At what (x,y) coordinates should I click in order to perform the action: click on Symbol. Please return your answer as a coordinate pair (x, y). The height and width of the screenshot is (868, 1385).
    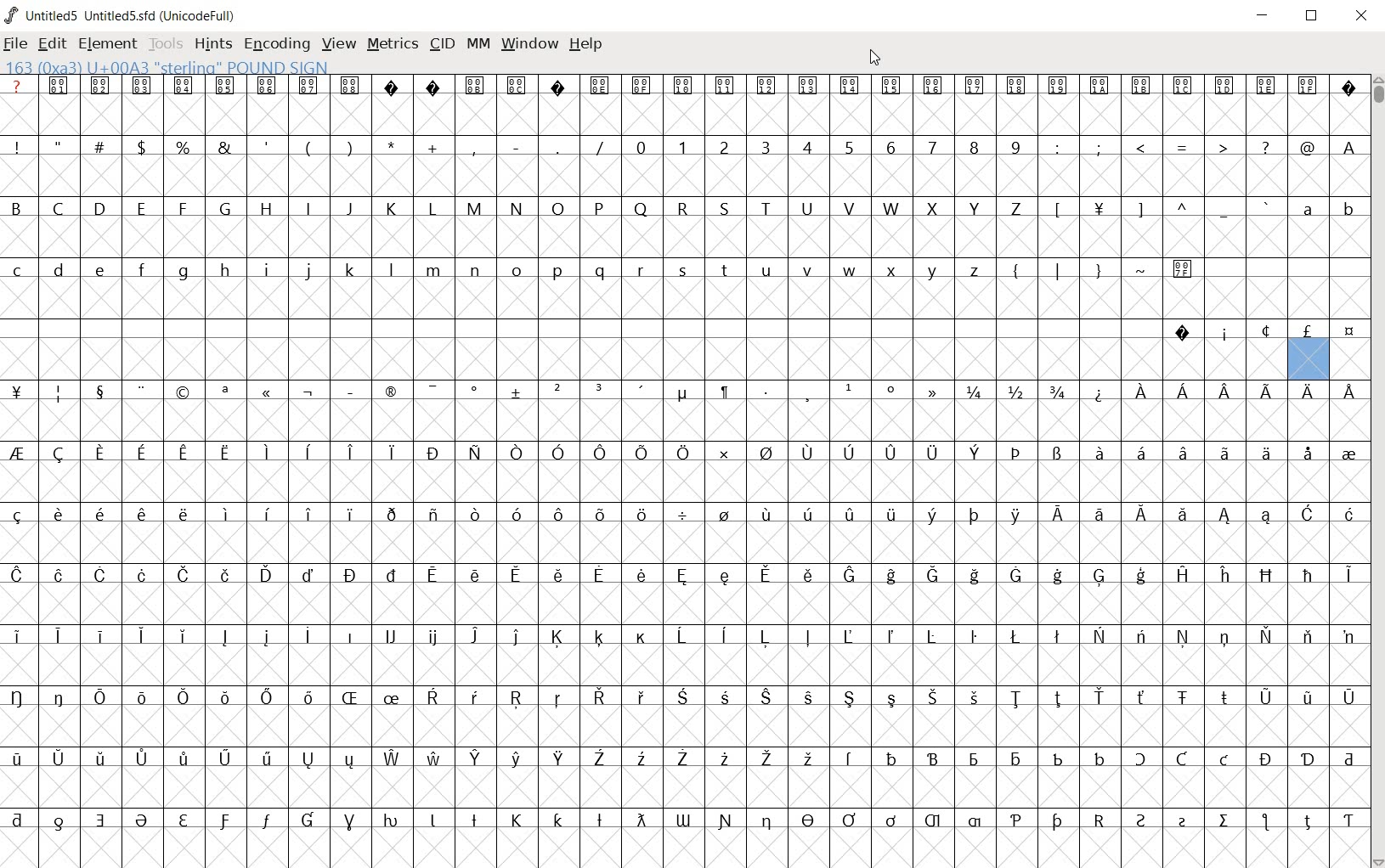
    Looking at the image, I should click on (934, 636).